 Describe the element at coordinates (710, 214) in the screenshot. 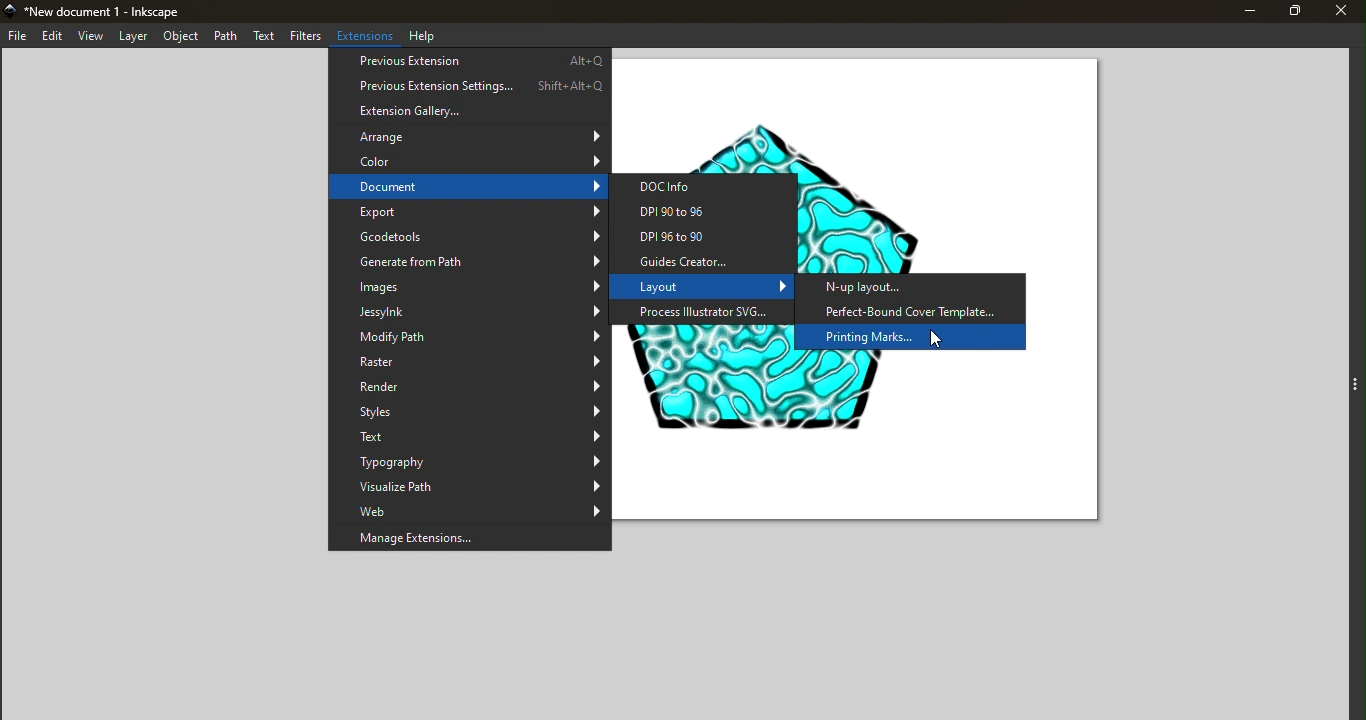

I see `DPI 90 to 96` at that location.